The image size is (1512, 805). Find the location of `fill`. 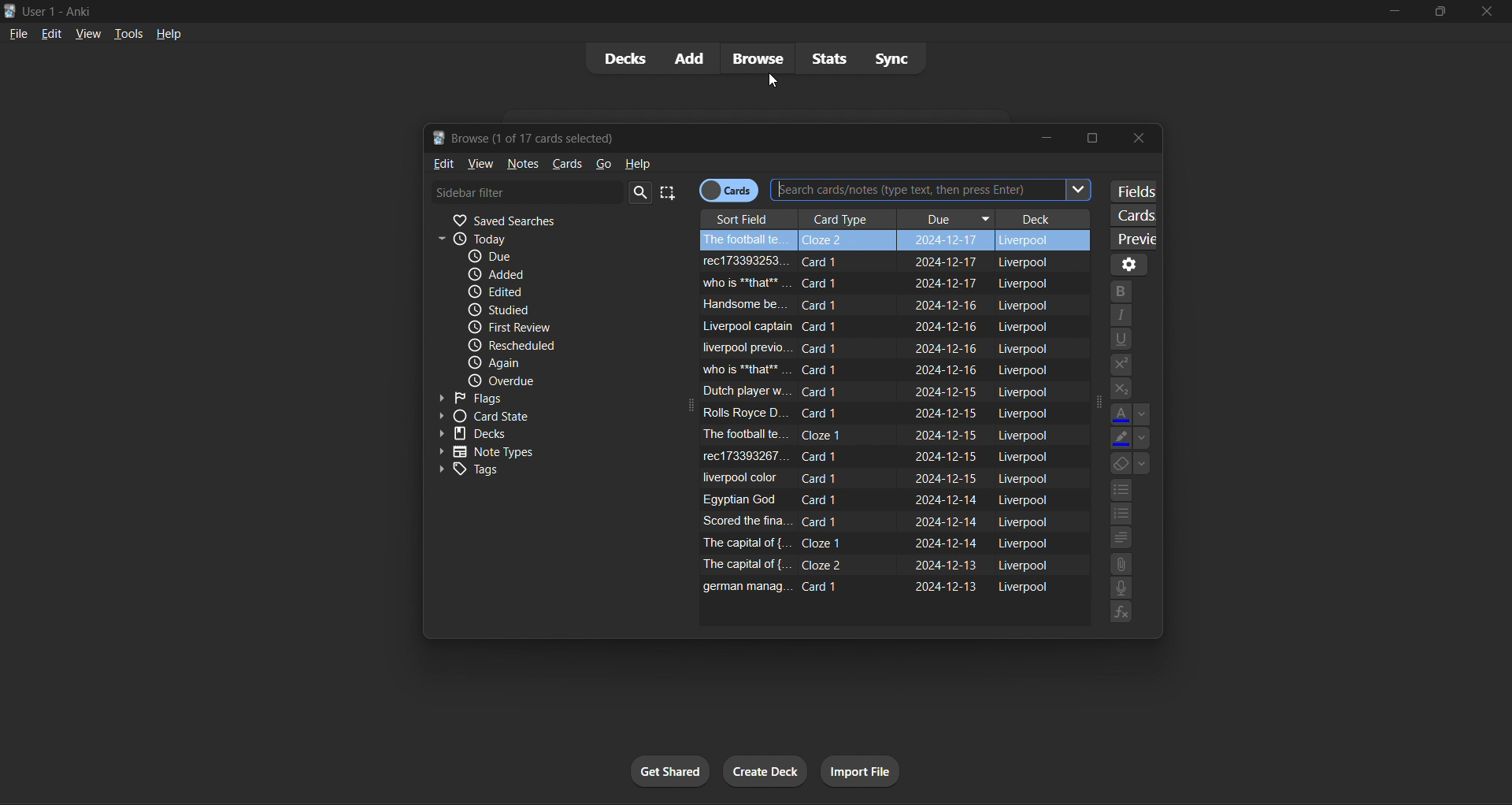

fill is located at coordinates (1120, 464).